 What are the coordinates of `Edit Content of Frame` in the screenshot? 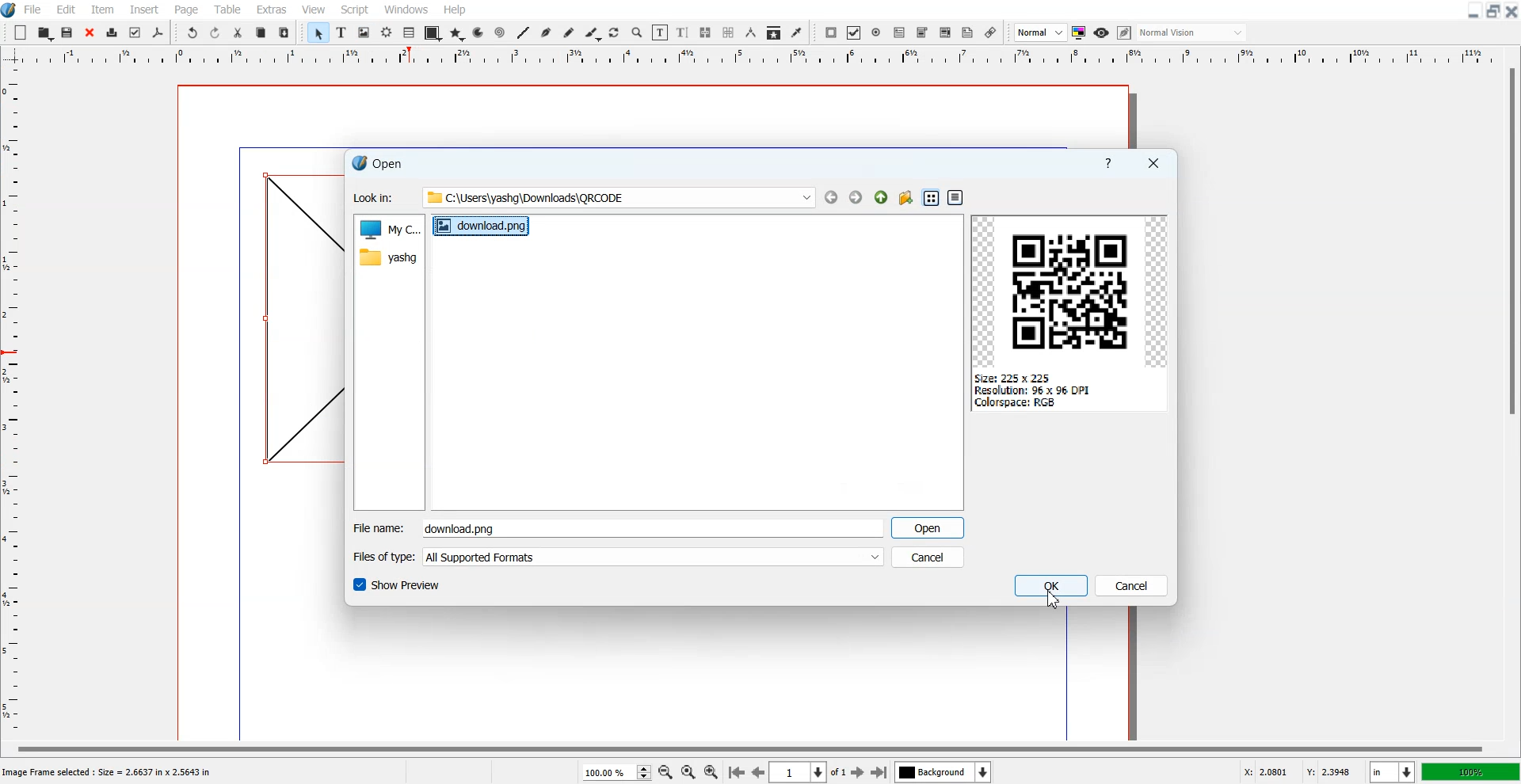 It's located at (661, 32).